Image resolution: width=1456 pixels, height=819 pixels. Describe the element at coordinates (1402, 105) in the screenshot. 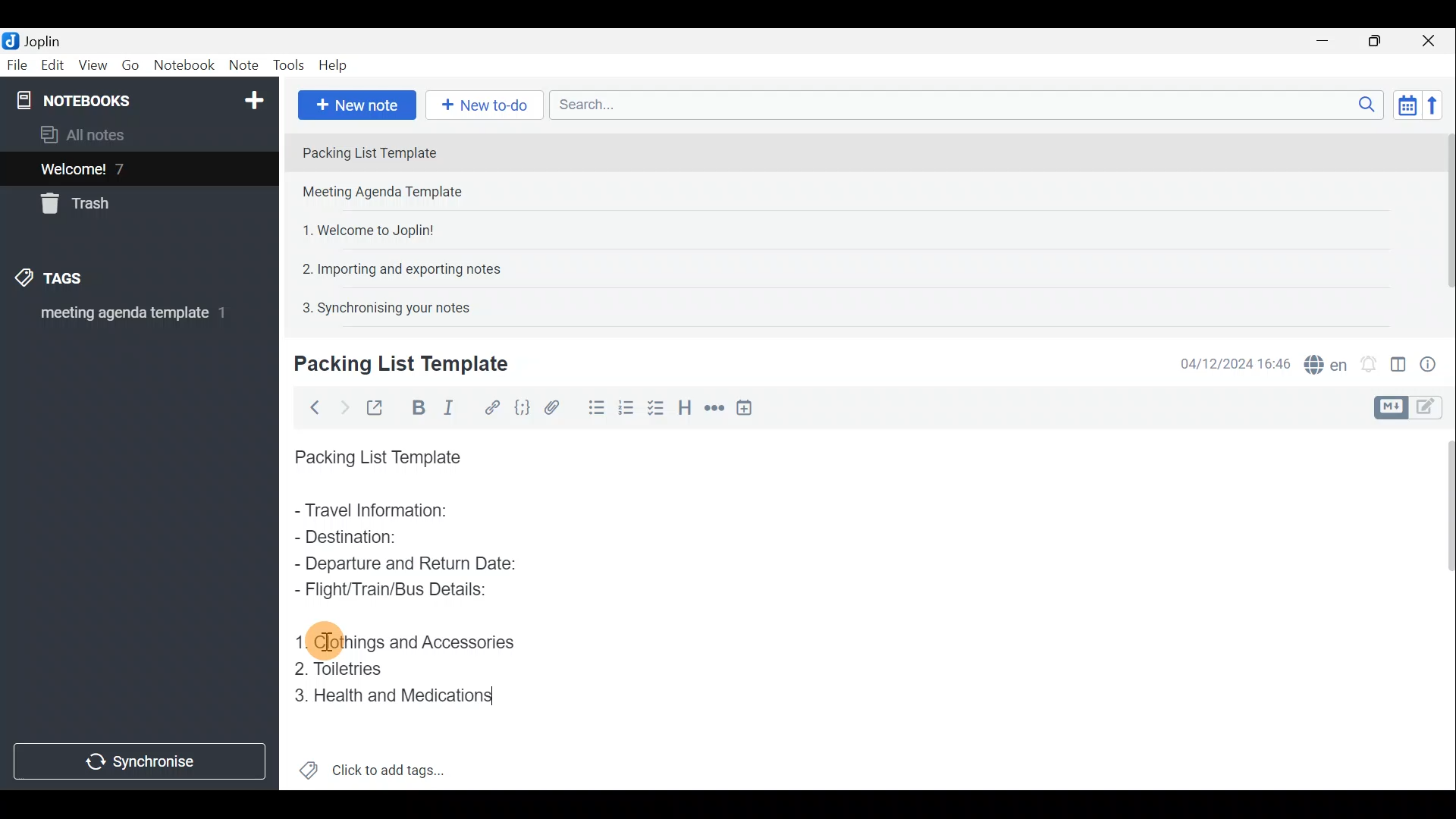

I see `Toggle sort order field` at that location.